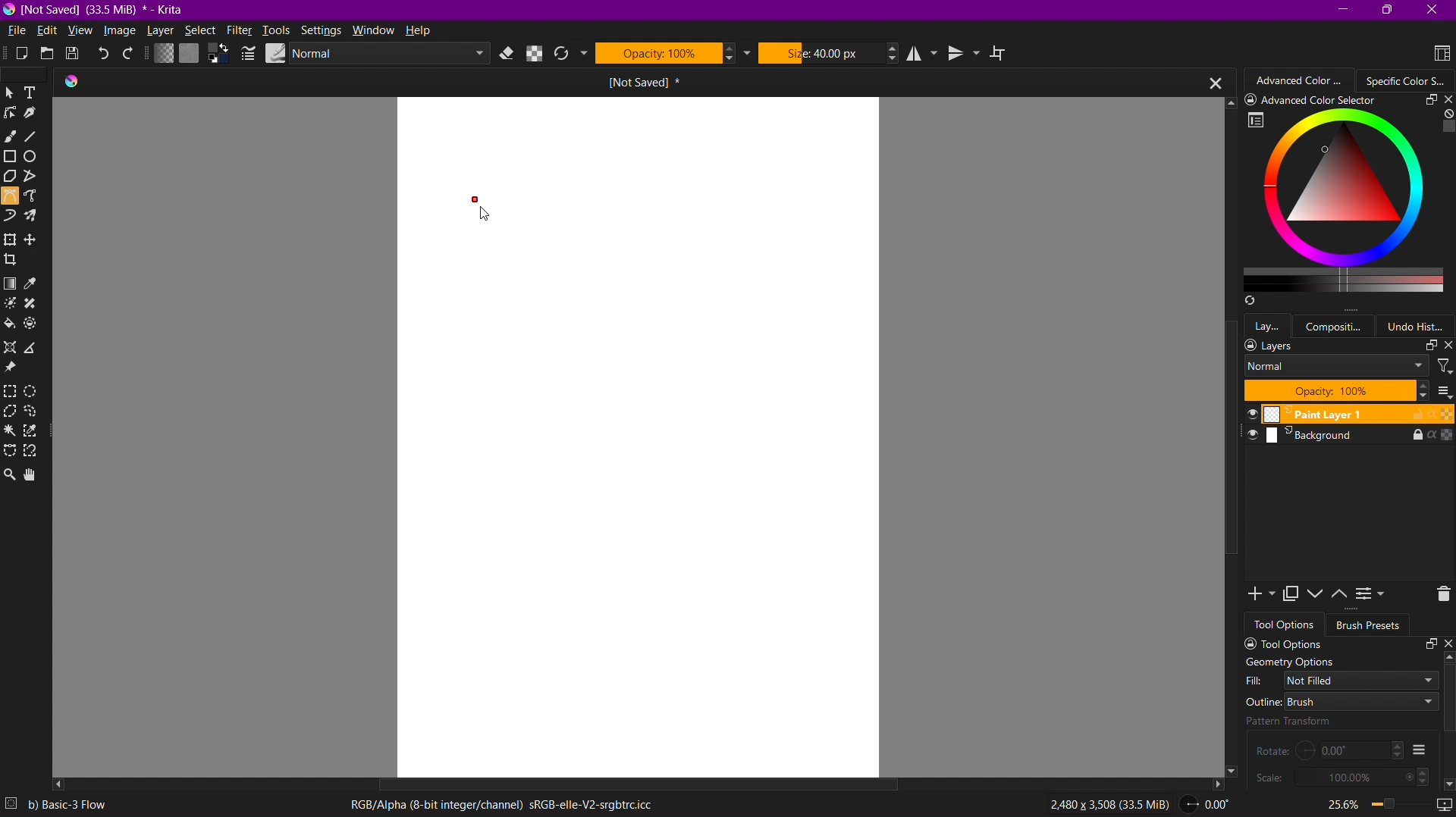 This screenshot has height=817, width=1456. Describe the element at coordinates (39, 283) in the screenshot. I see `Sample a color` at that location.